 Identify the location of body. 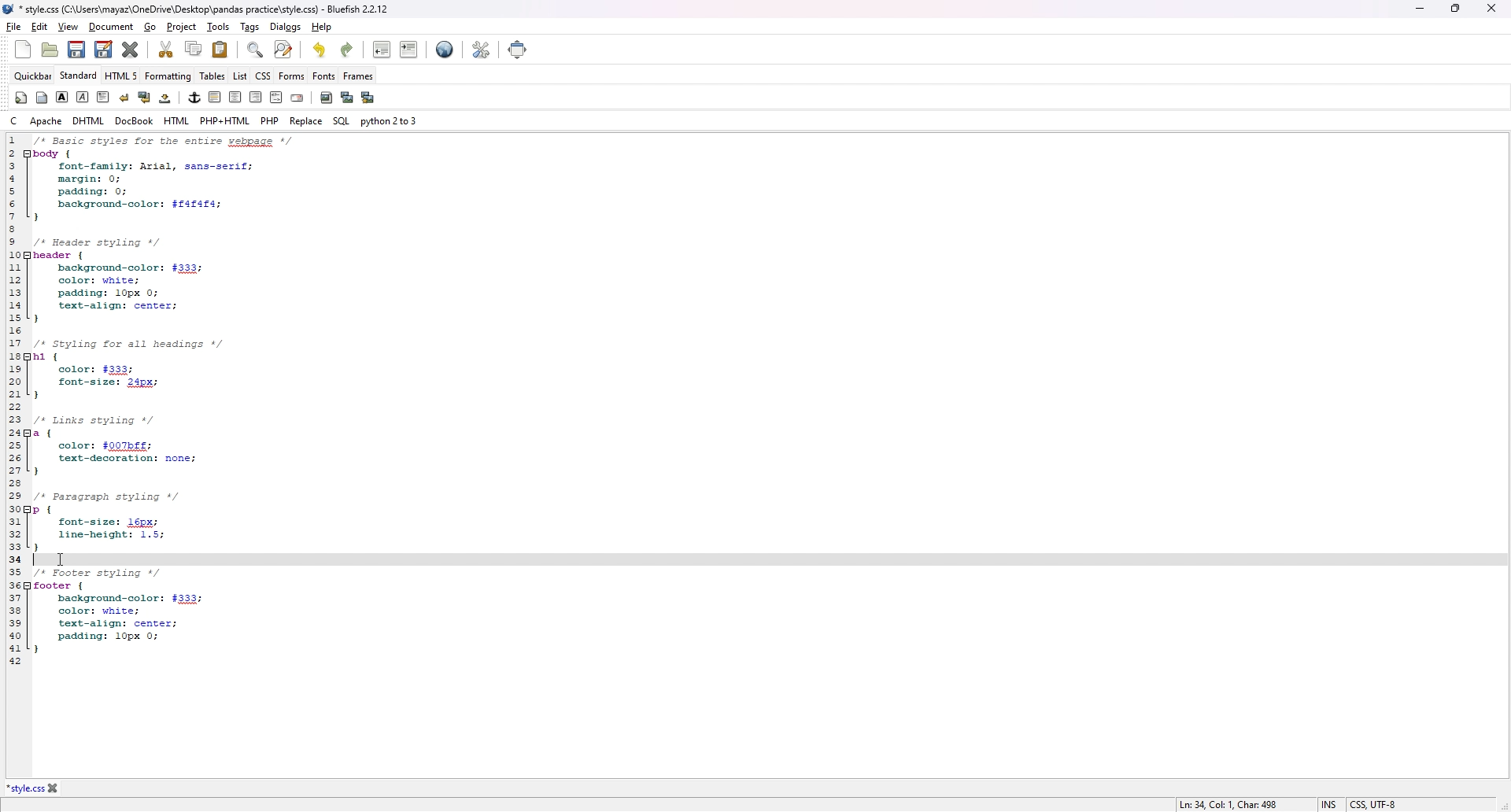
(41, 98).